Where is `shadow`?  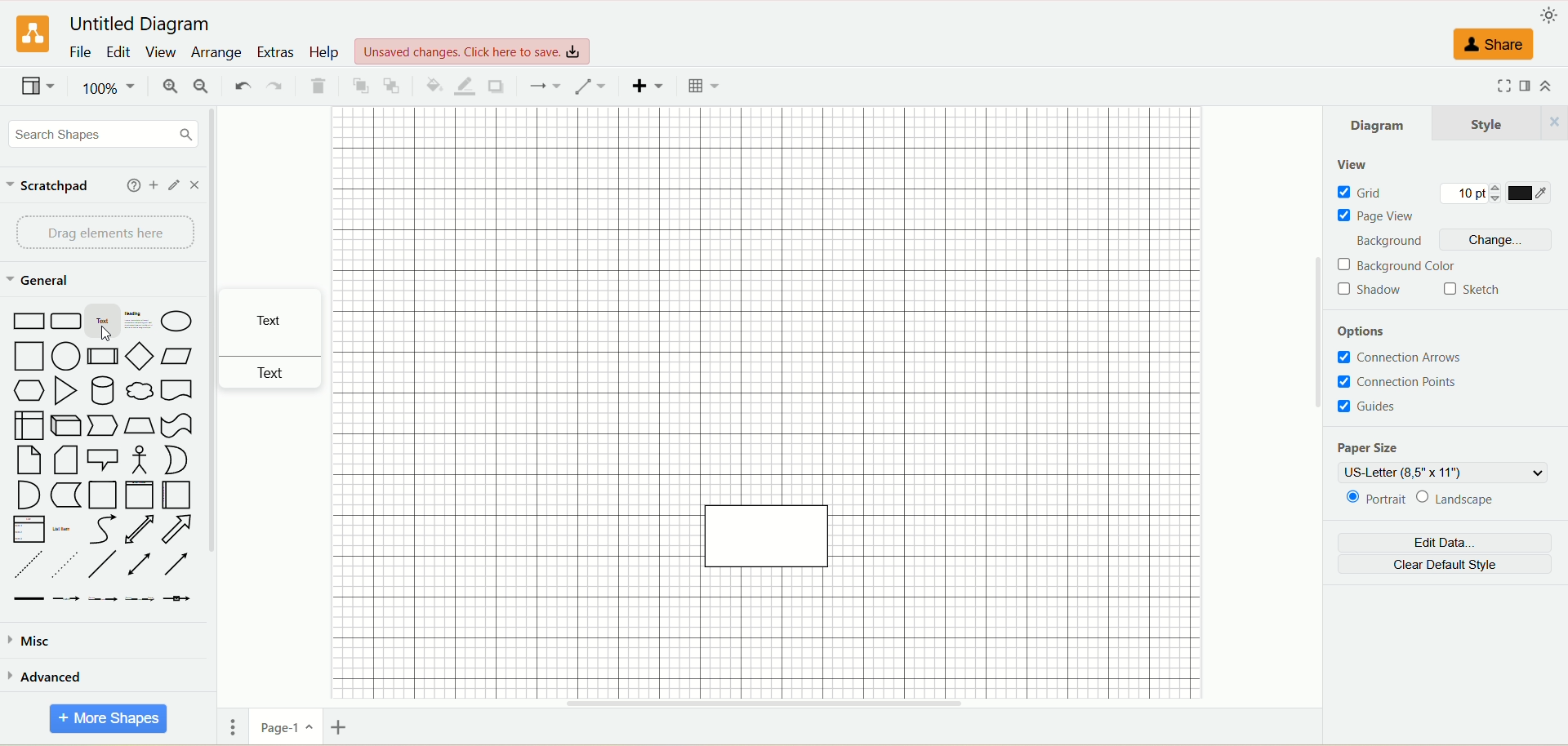 shadow is located at coordinates (1376, 291).